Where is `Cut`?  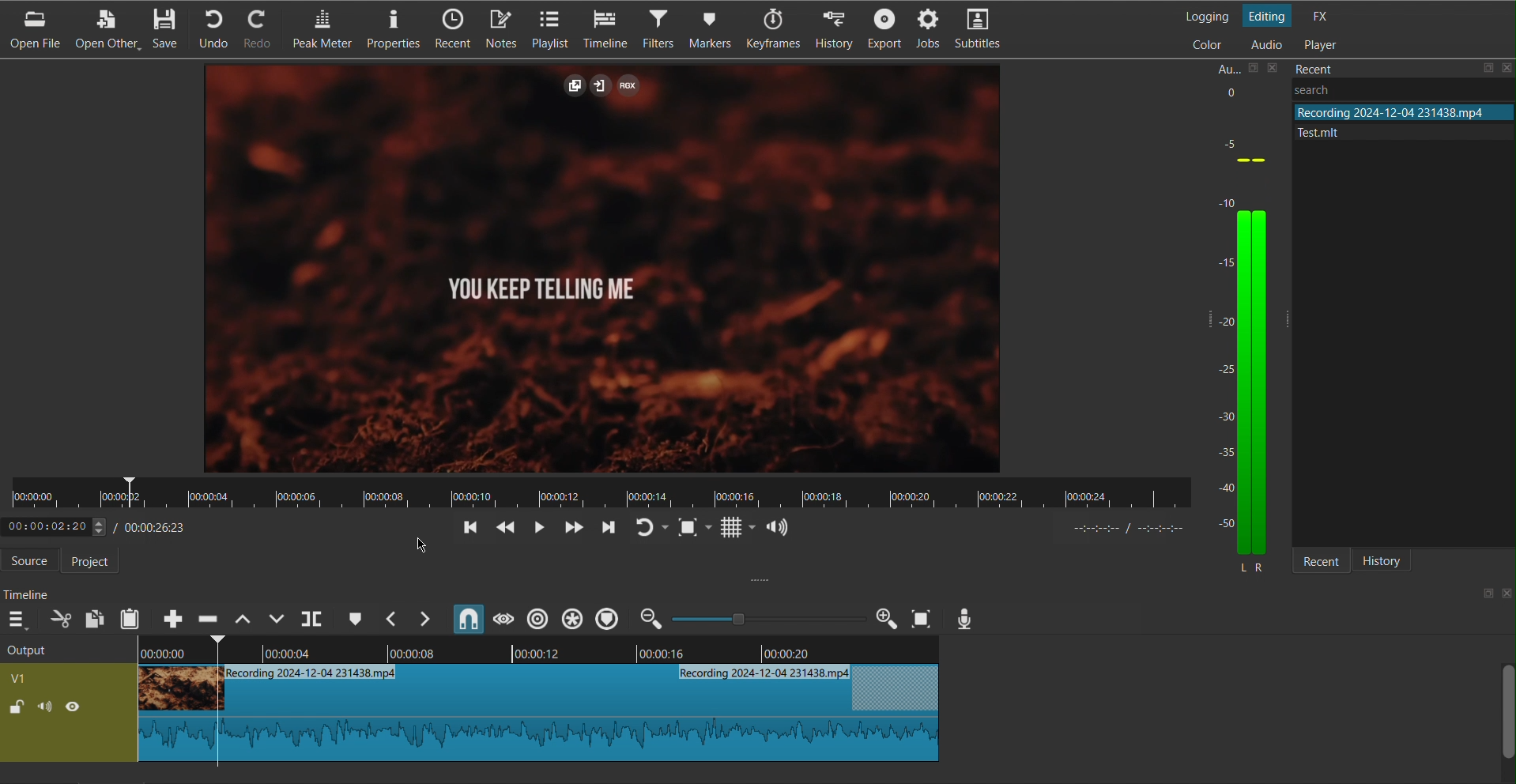
Cut is located at coordinates (215, 703).